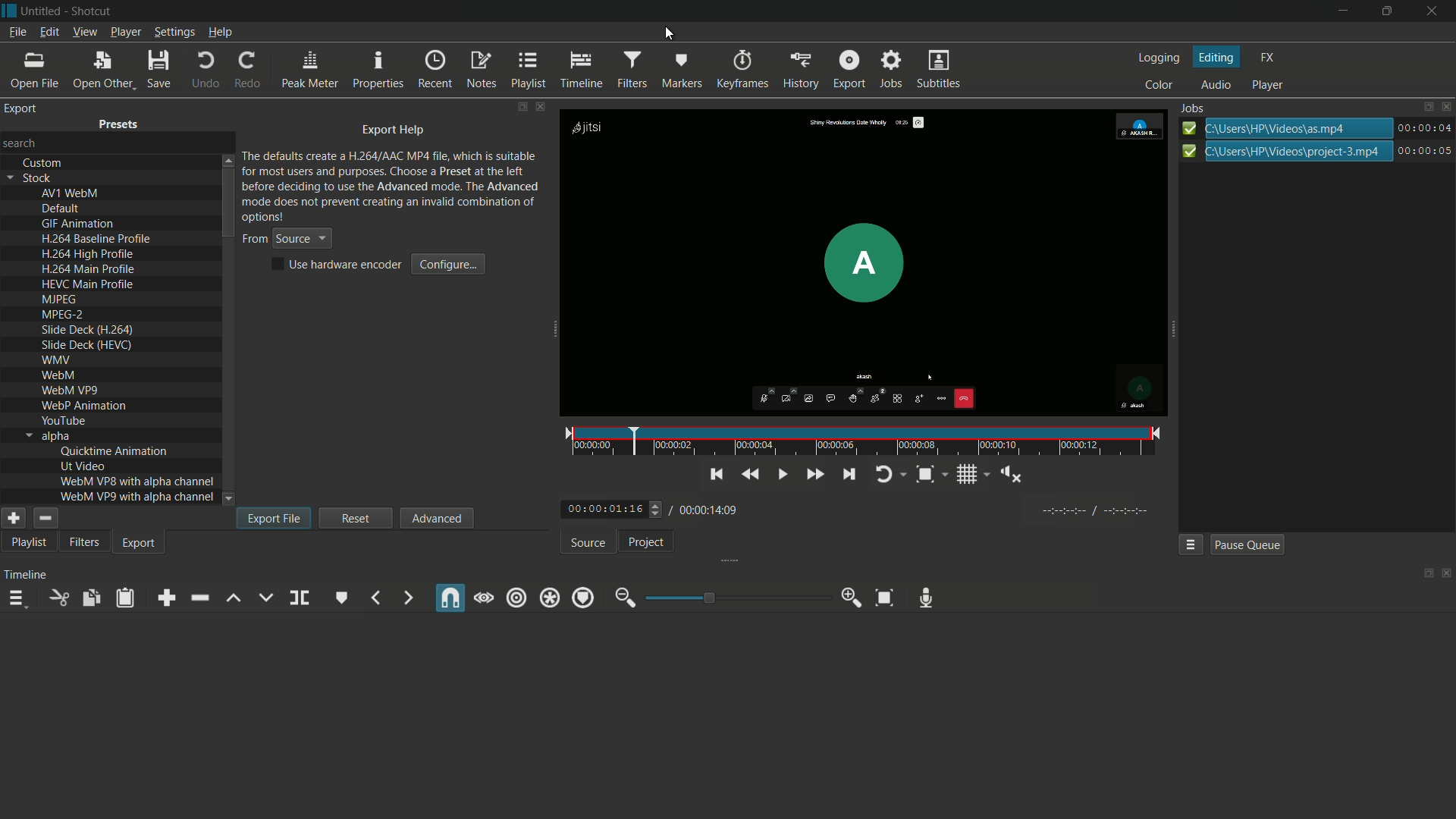 This screenshot has height=819, width=1456. I want to click on app icon, so click(9, 9).